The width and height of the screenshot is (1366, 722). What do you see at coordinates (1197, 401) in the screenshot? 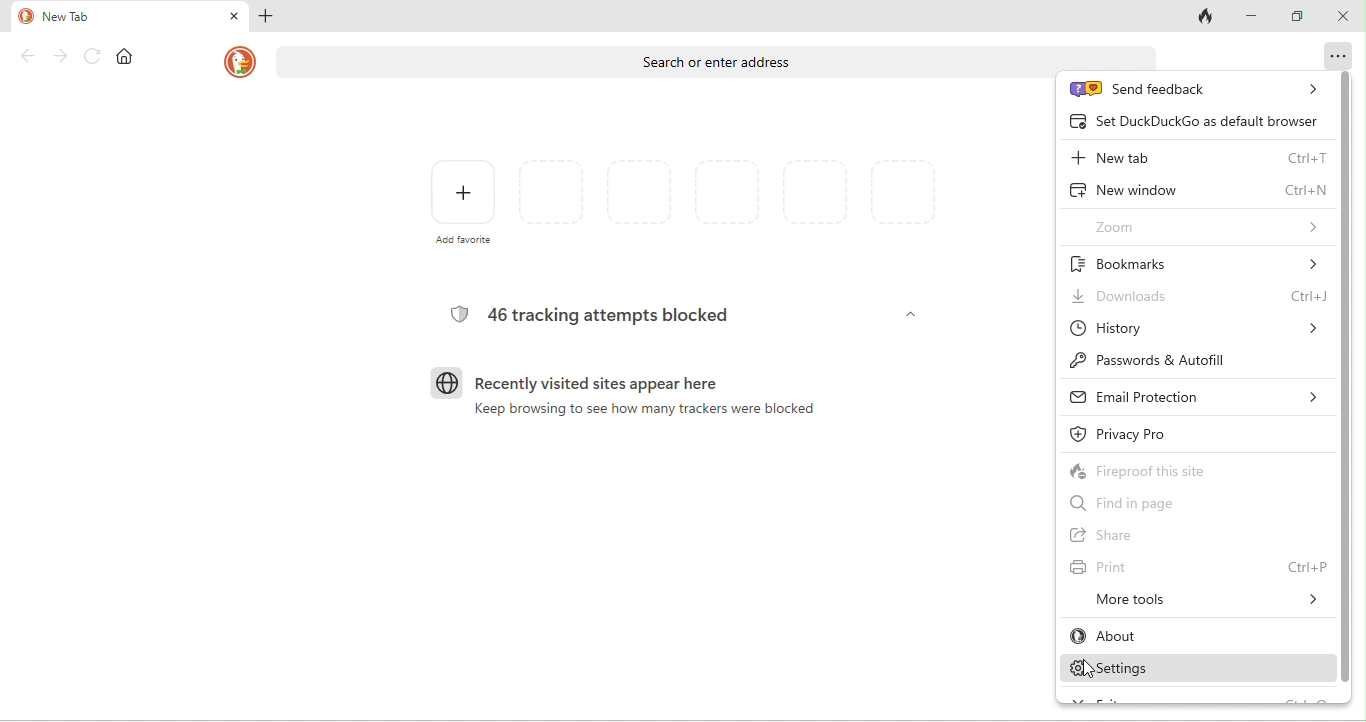
I see `email protection` at bounding box center [1197, 401].